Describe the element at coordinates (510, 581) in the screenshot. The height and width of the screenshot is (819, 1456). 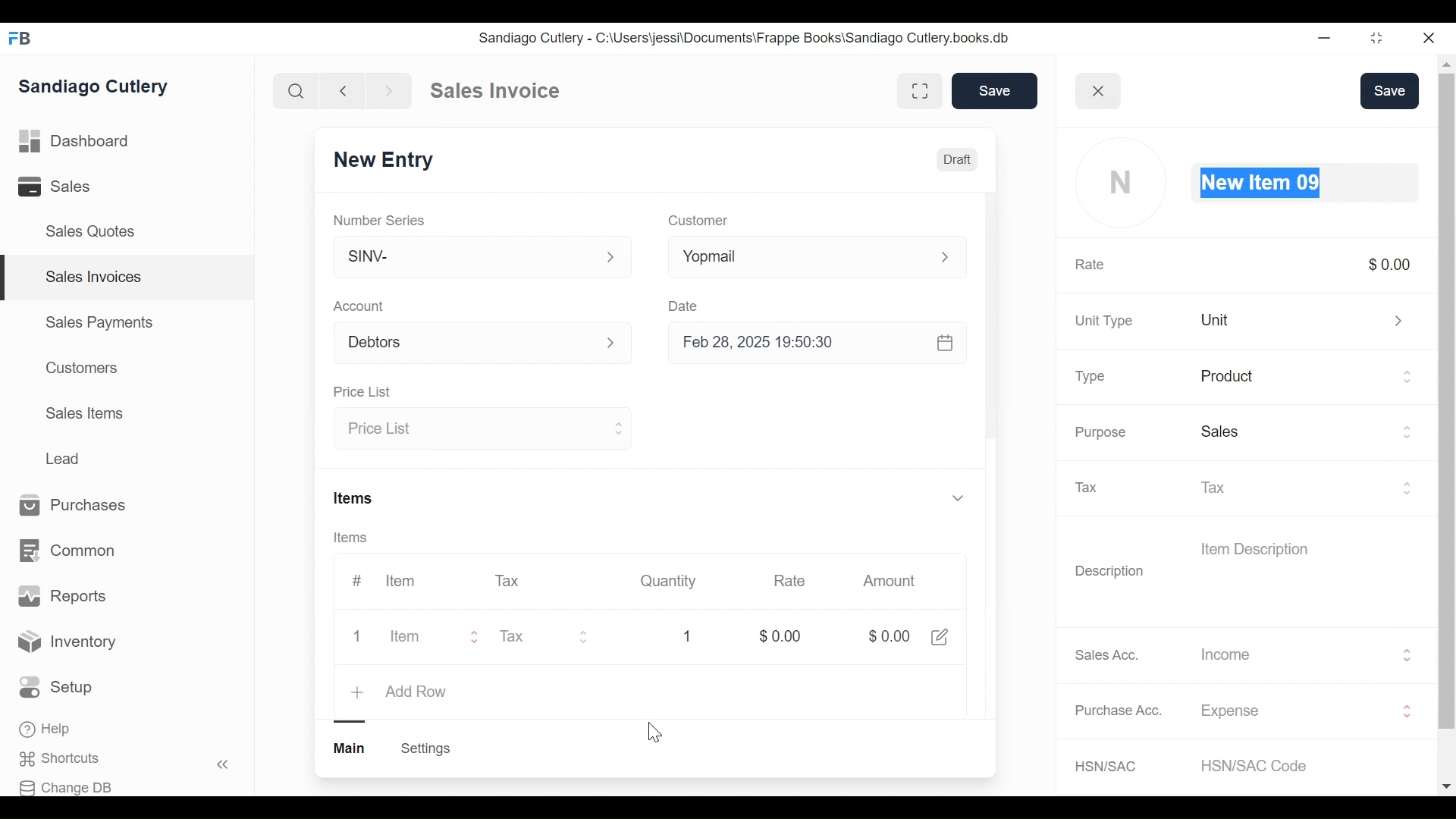
I see `Tax` at that location.